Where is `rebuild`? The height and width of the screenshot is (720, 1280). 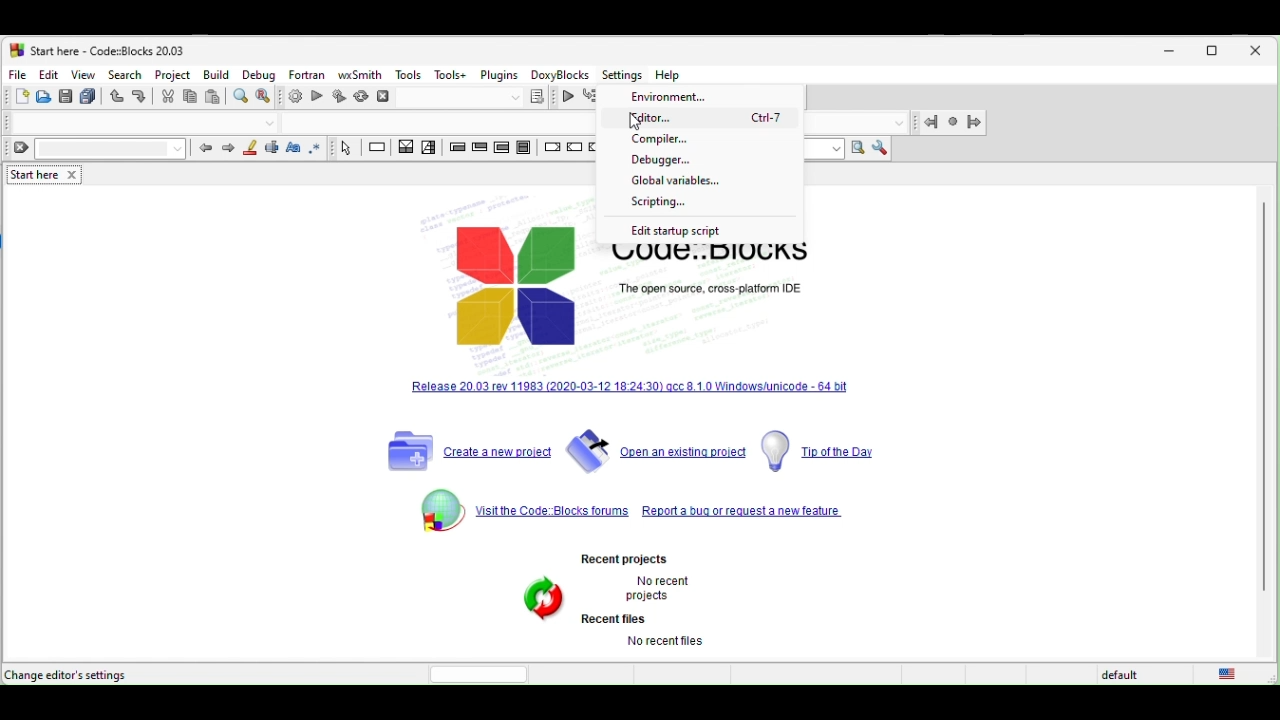 rebuild is located at coordinates (364, 98).